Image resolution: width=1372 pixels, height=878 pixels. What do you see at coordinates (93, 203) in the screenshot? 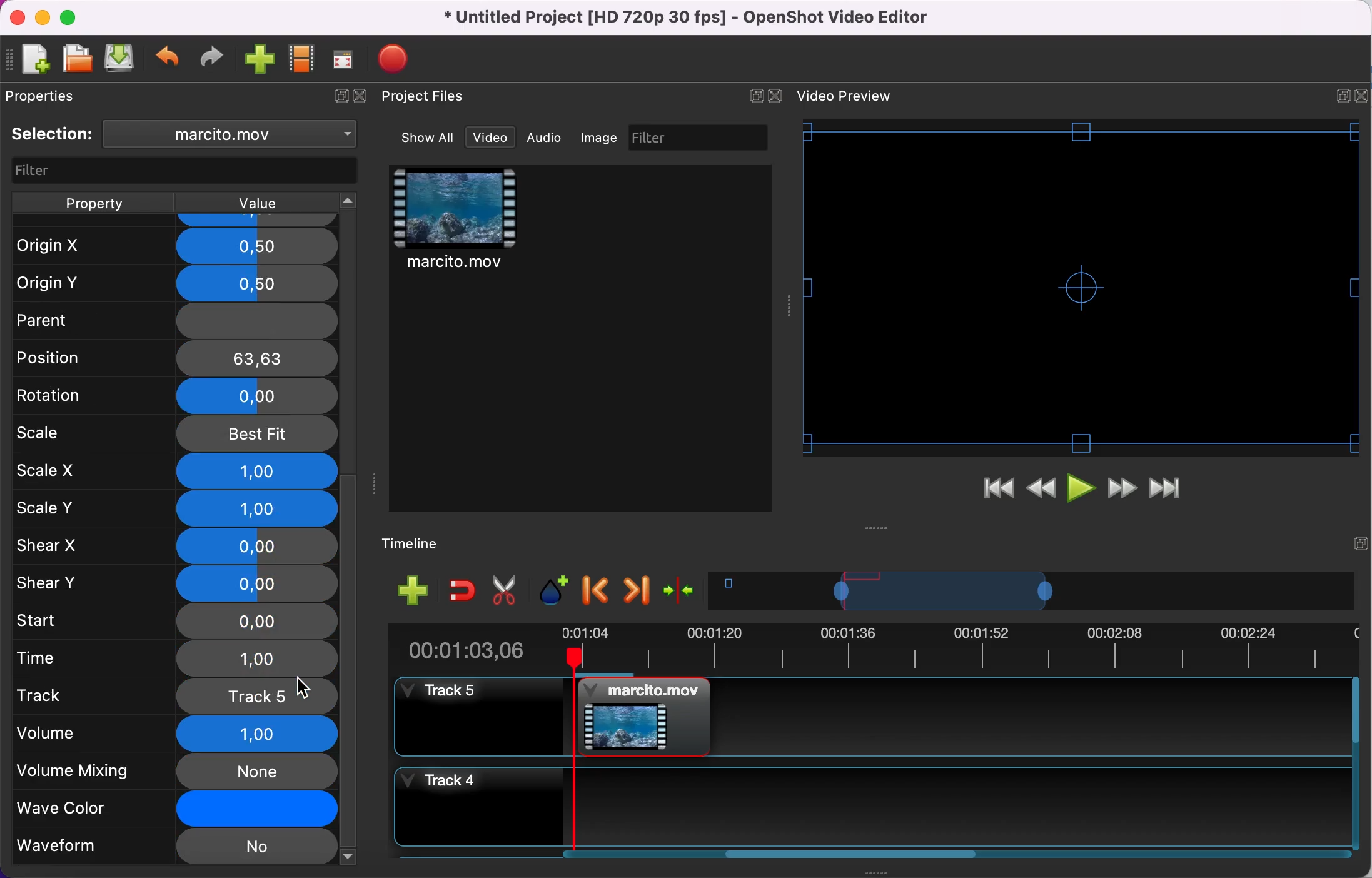
I see `property` at bounding box center [93, 203].